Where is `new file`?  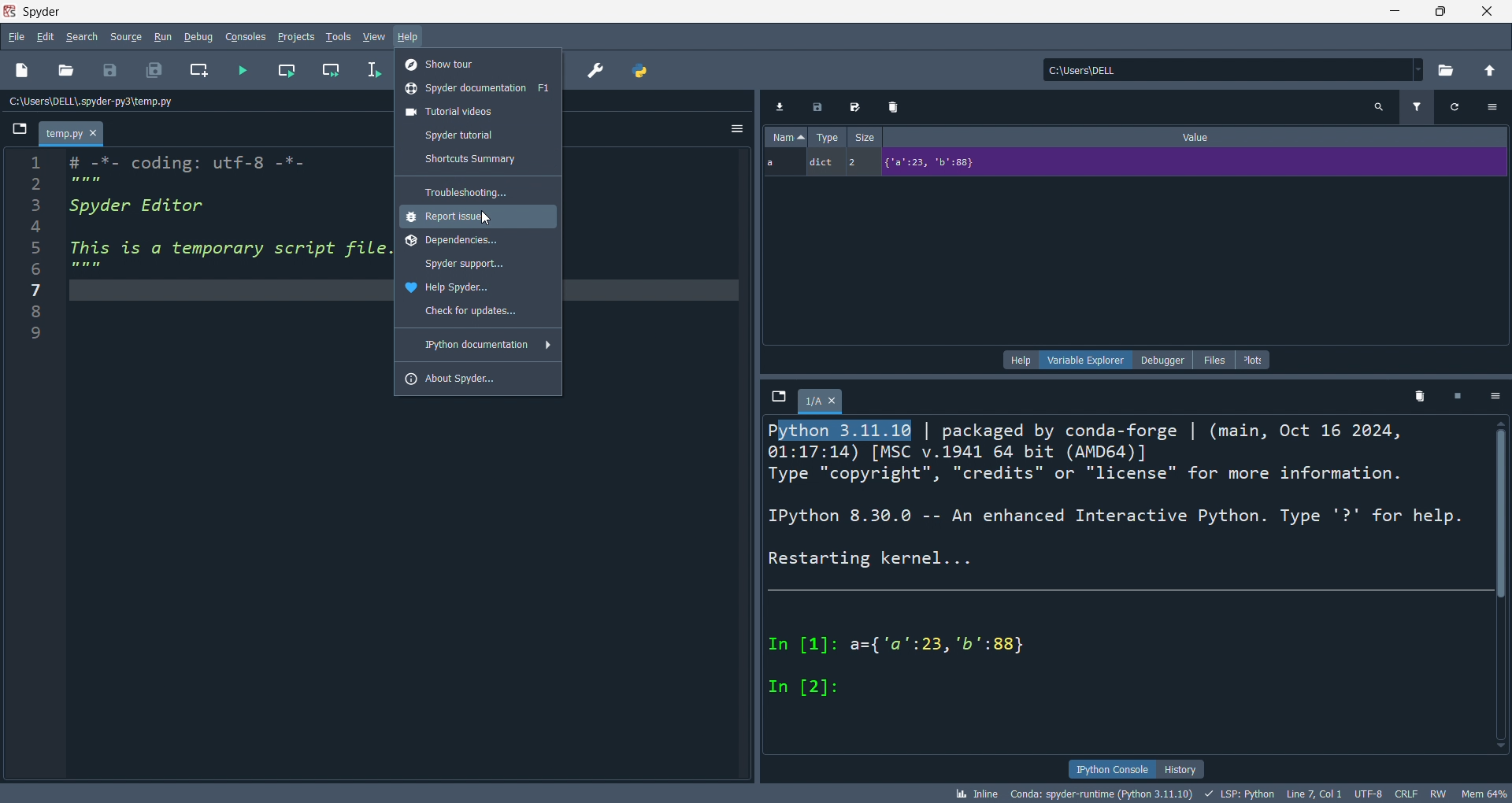 new file is located at coordinates (20, 72).